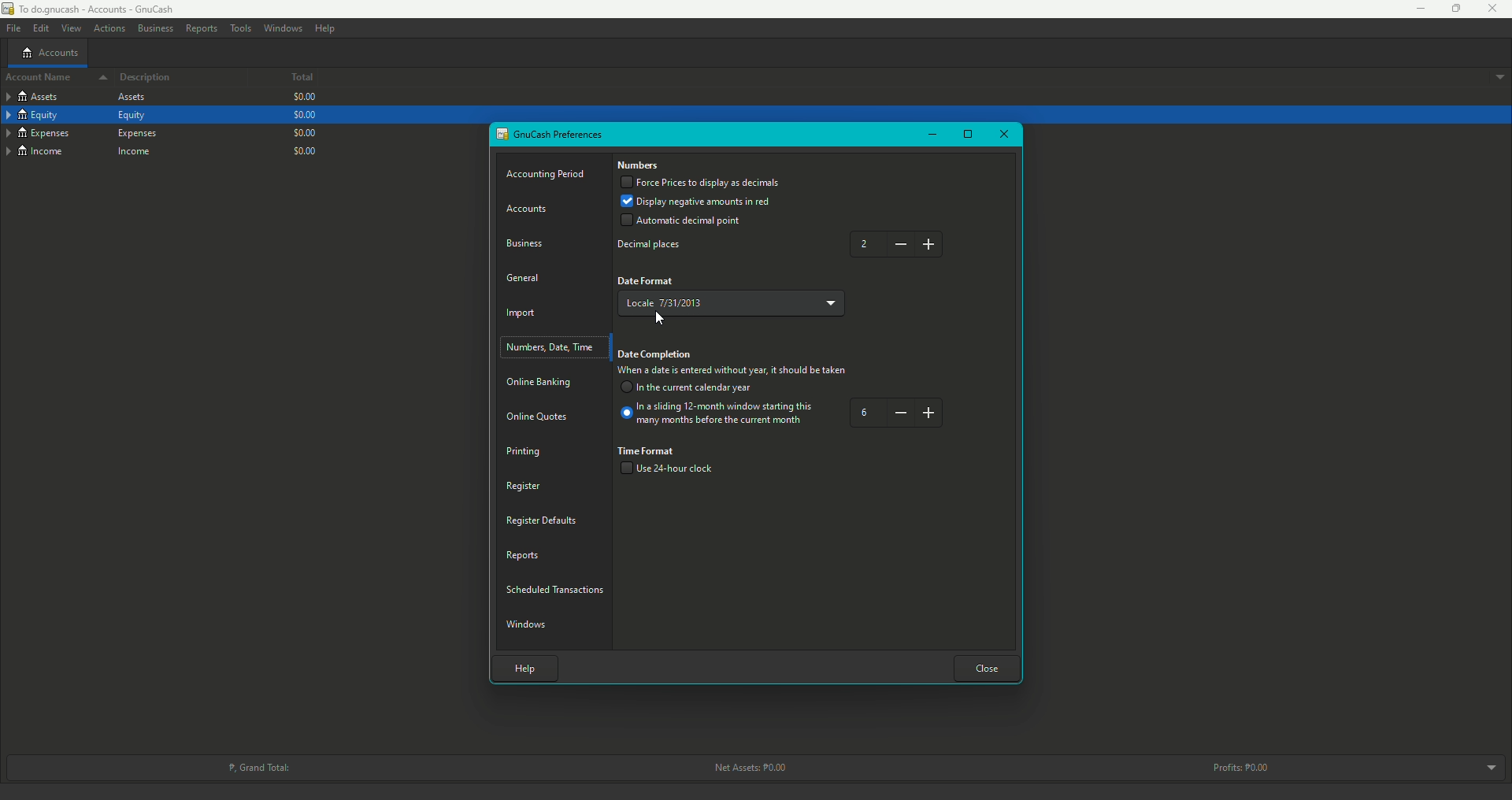 The height and width of the screenshot is (800, 1512). I want to click on Date Completion, so click(657, 355).